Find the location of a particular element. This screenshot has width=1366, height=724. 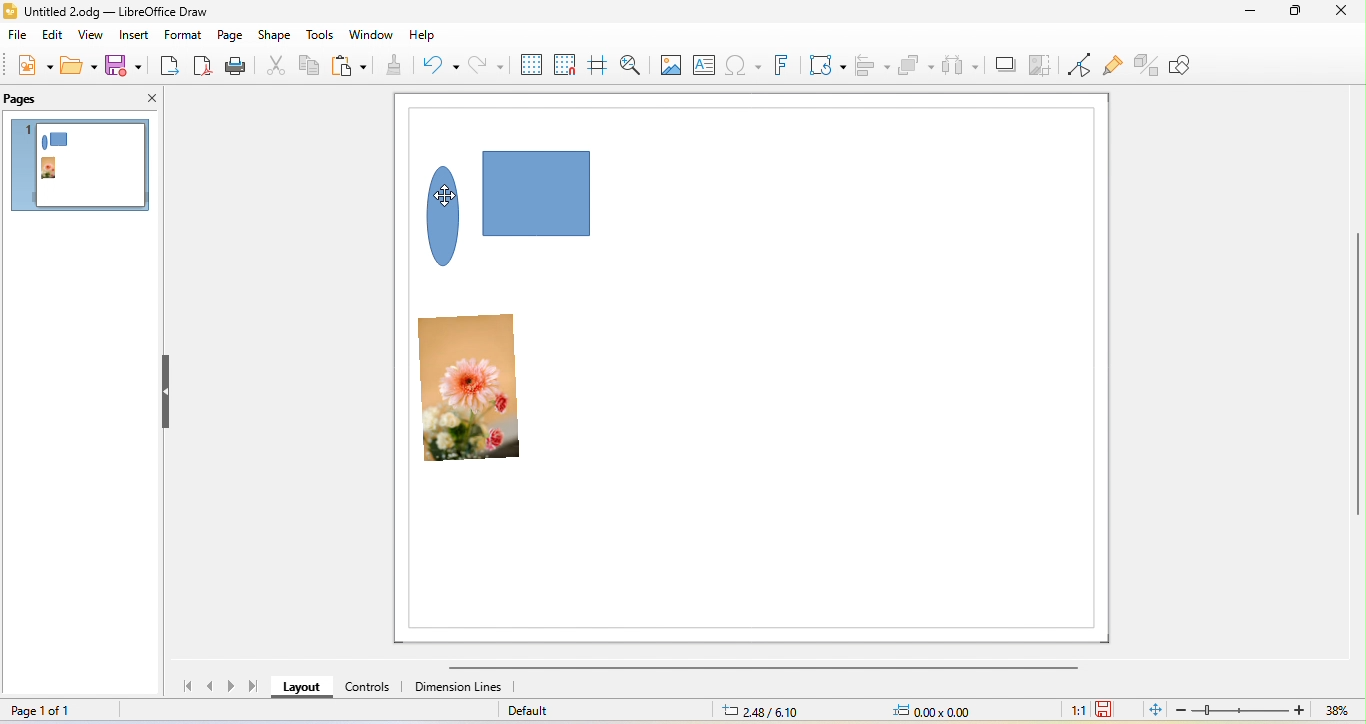

the document has not been modified since last save is located at coordinates (1109, 709).